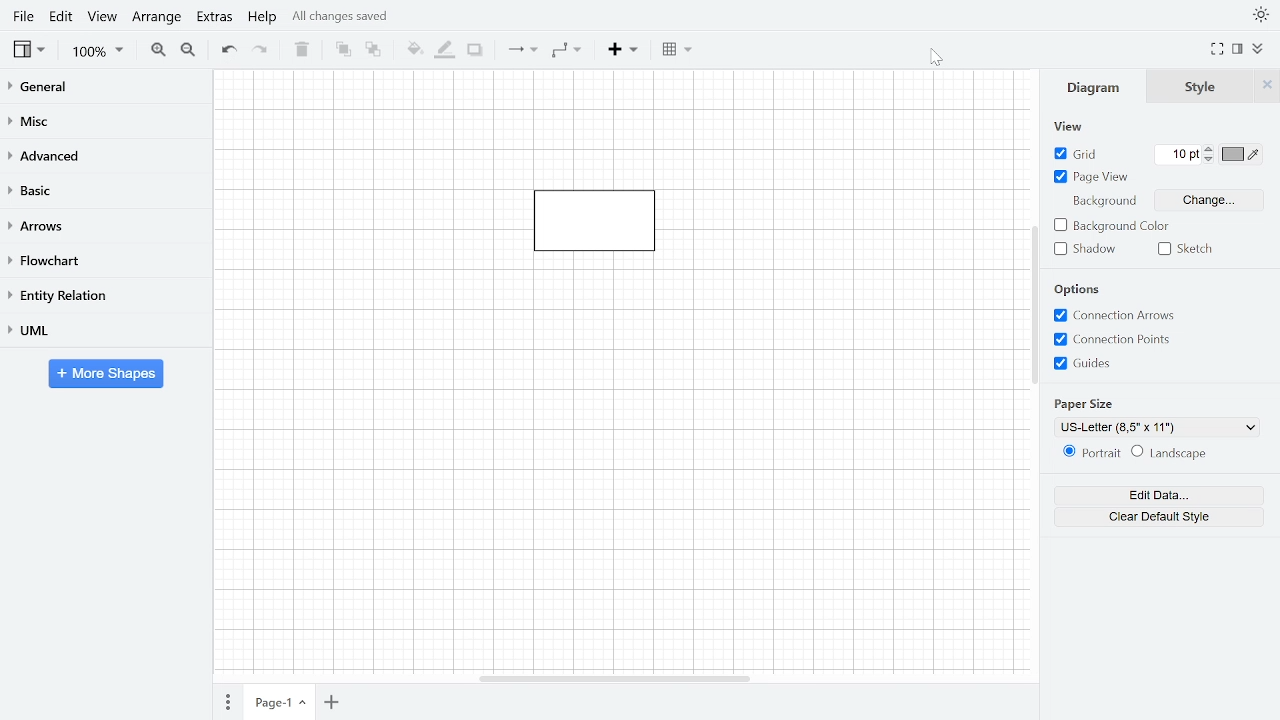  Describe the element at coordinates (262, 19) in the screenshot. I see `Help` at that location.